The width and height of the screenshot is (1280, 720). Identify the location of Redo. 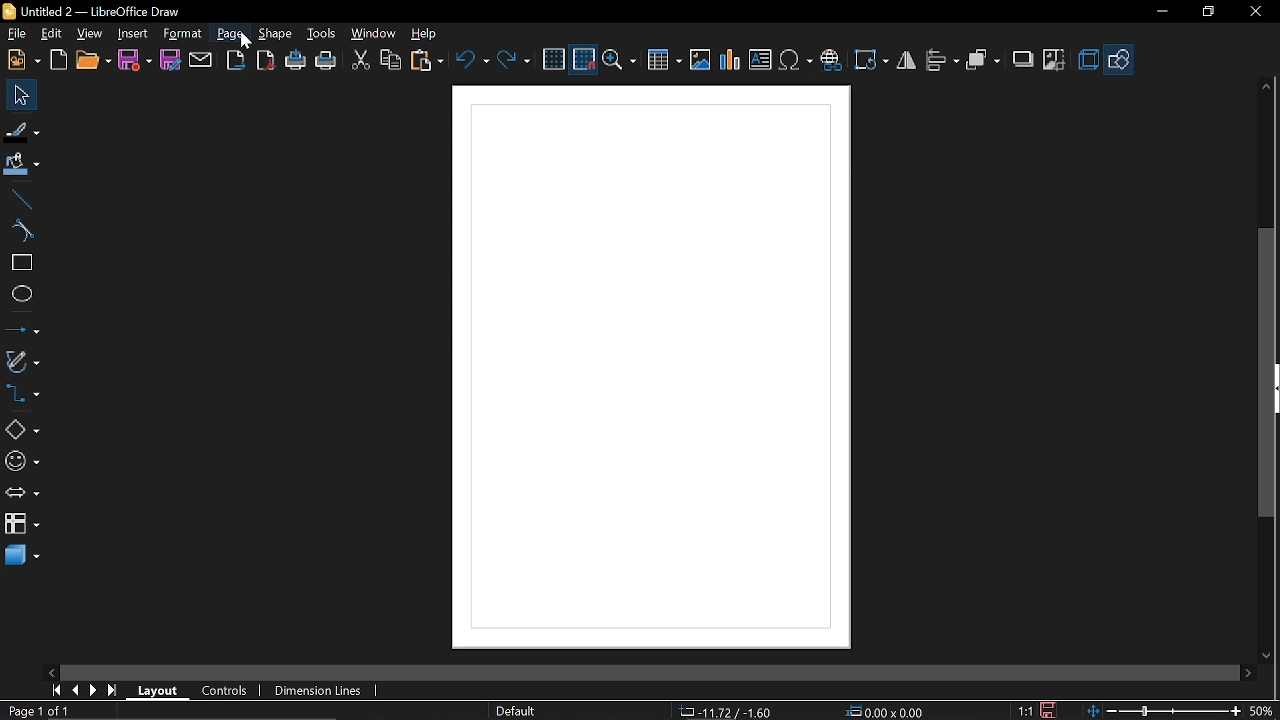
(514, 62).